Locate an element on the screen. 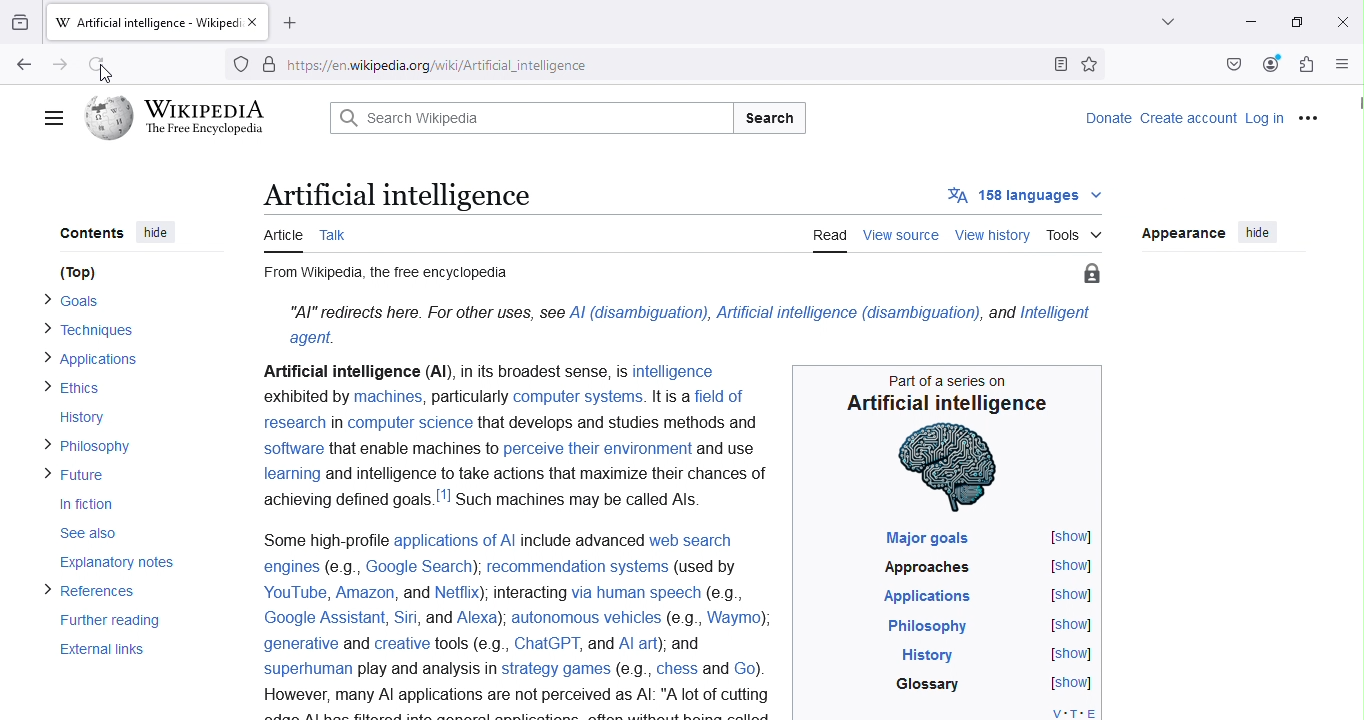 The image size is (1364, 720). Main menu is located at coordinates (55, 119).